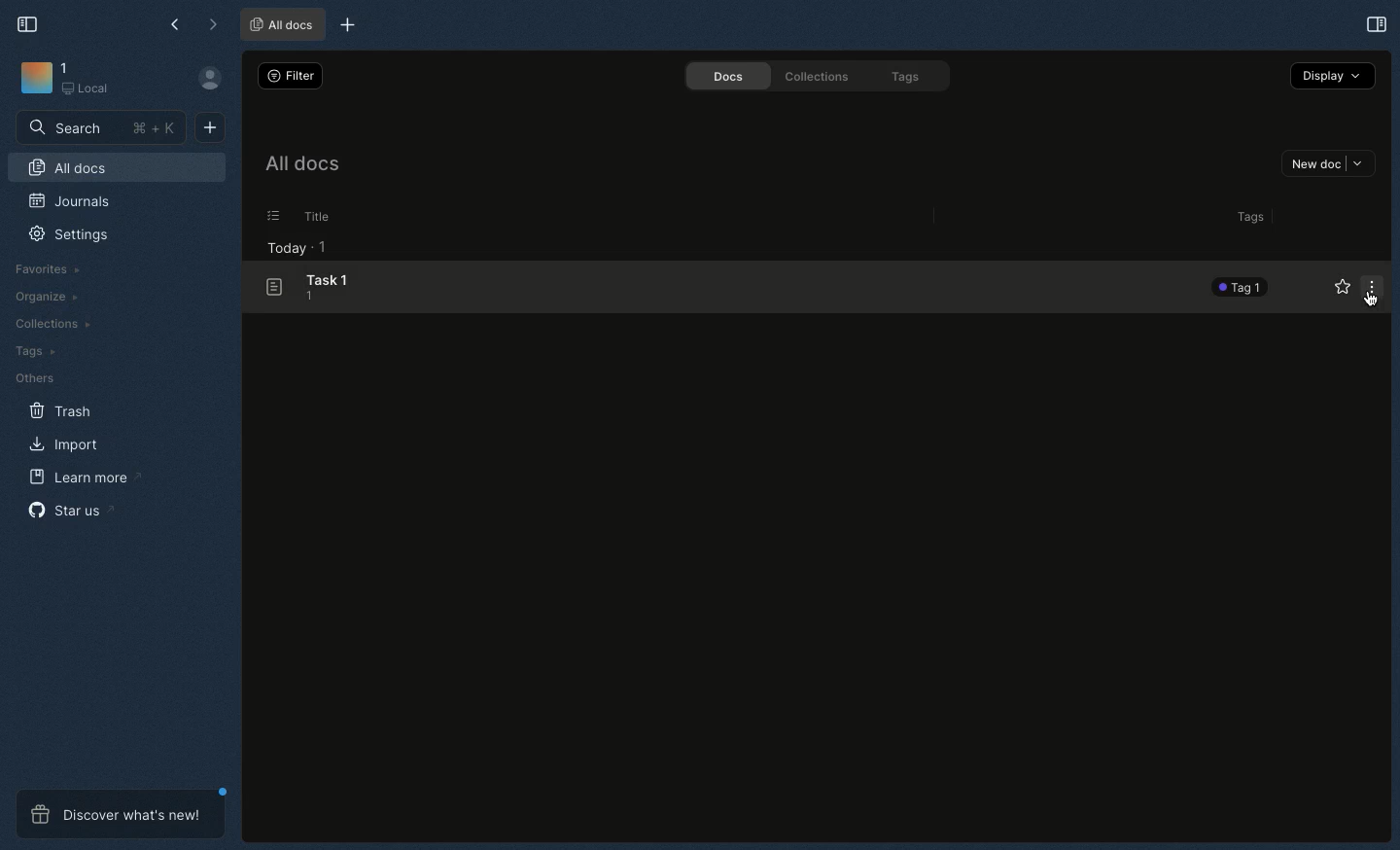  What do you see at coordinates (346, 24) in the screenshot?
I see `New tab` at bounding box center [346, 24].